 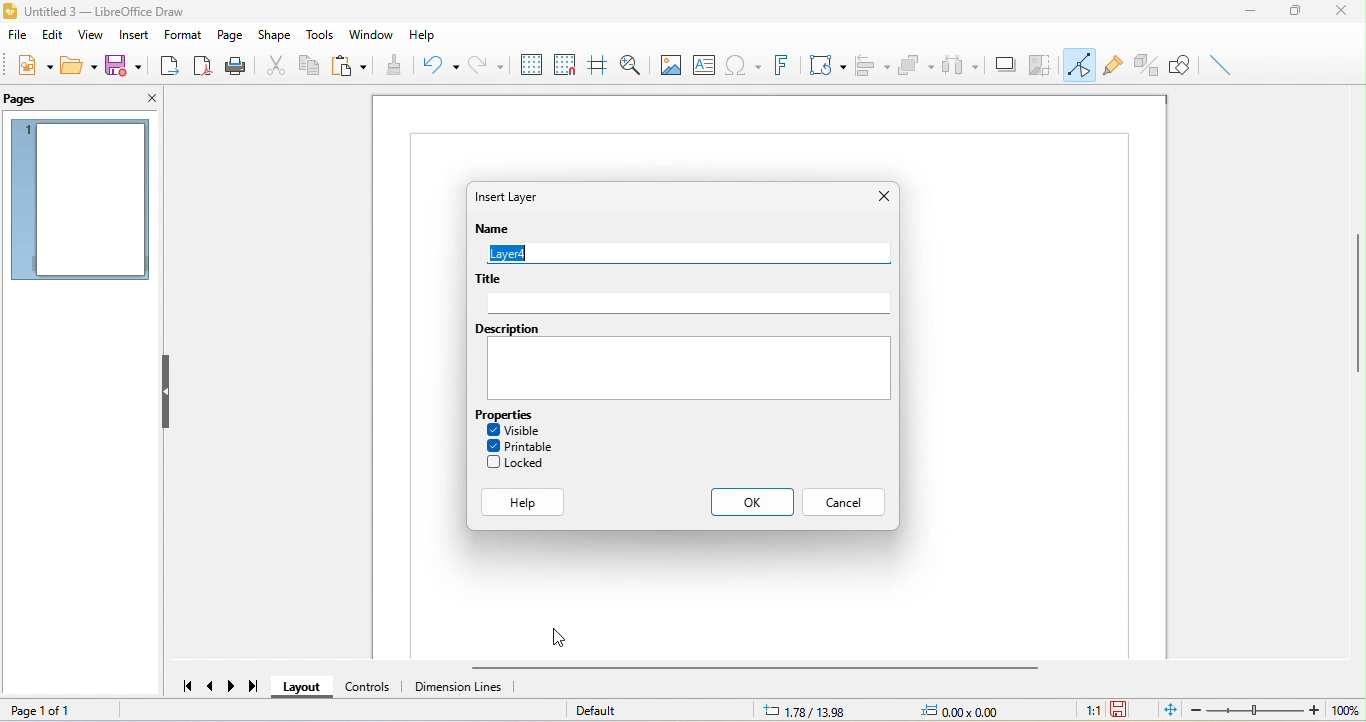 What do you see at coordinates (171, 66) in the screenshot?
I see `export` at bounding box center [171, 66].